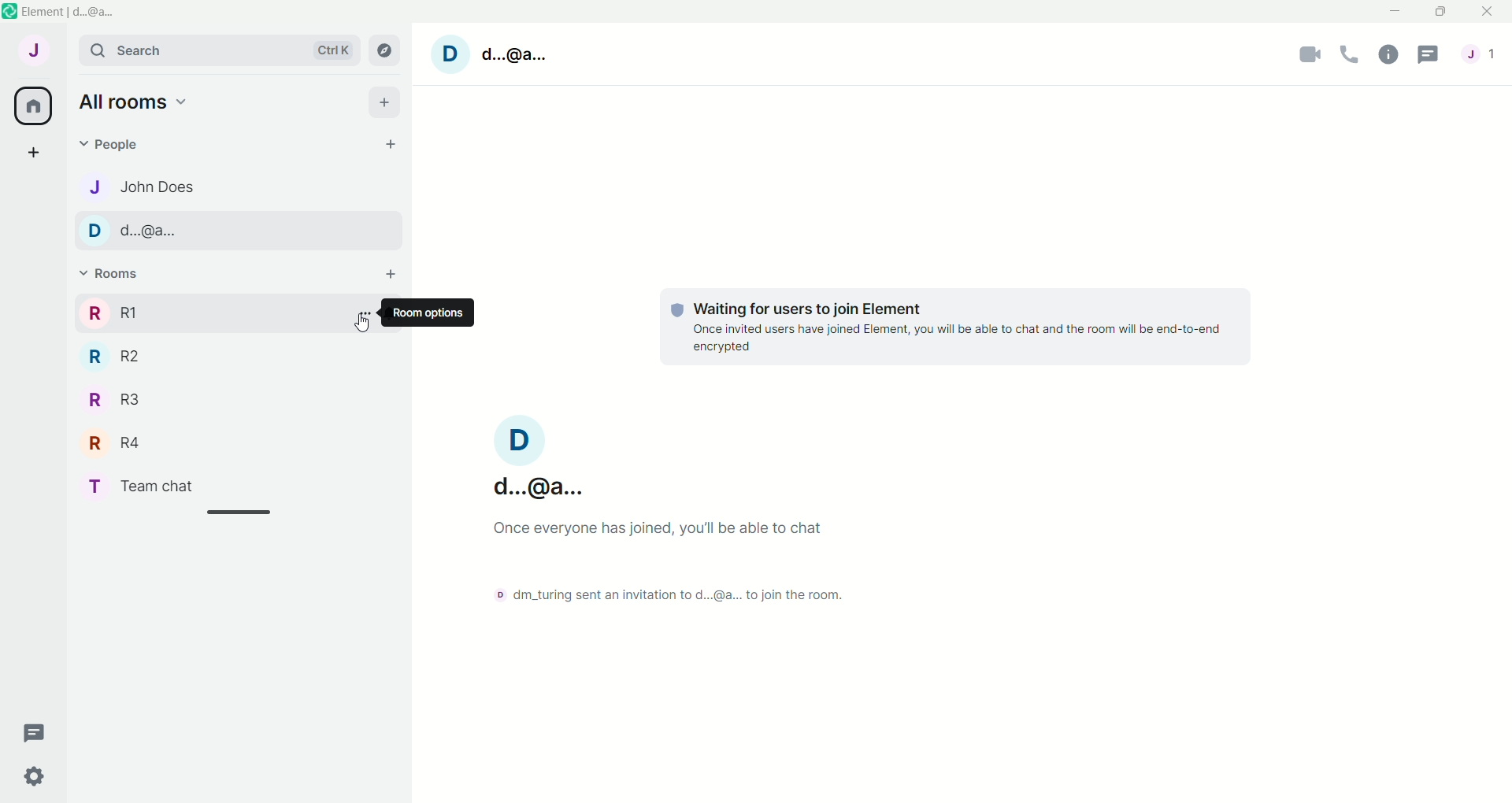 Image resolution: width=1512 pixels, height=803 pixels. What do you see at coordinates (131, 362) in the screenshot?
I see `R R2` at bounding box center [131, 362].